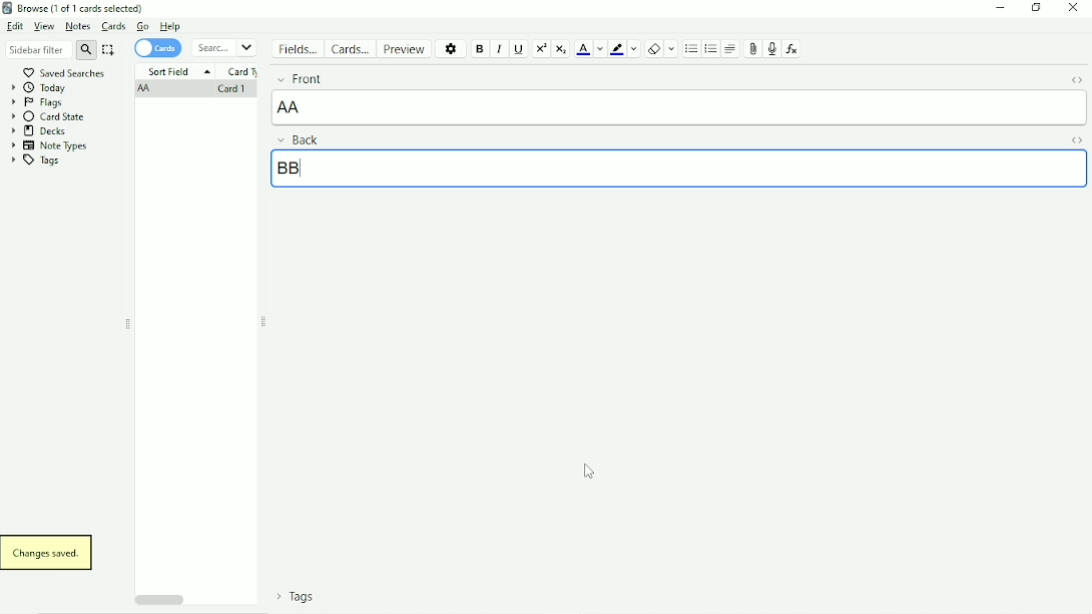  Describe the element at coordinates (583, 48) in the screenshot. I see `Text color` at that location.